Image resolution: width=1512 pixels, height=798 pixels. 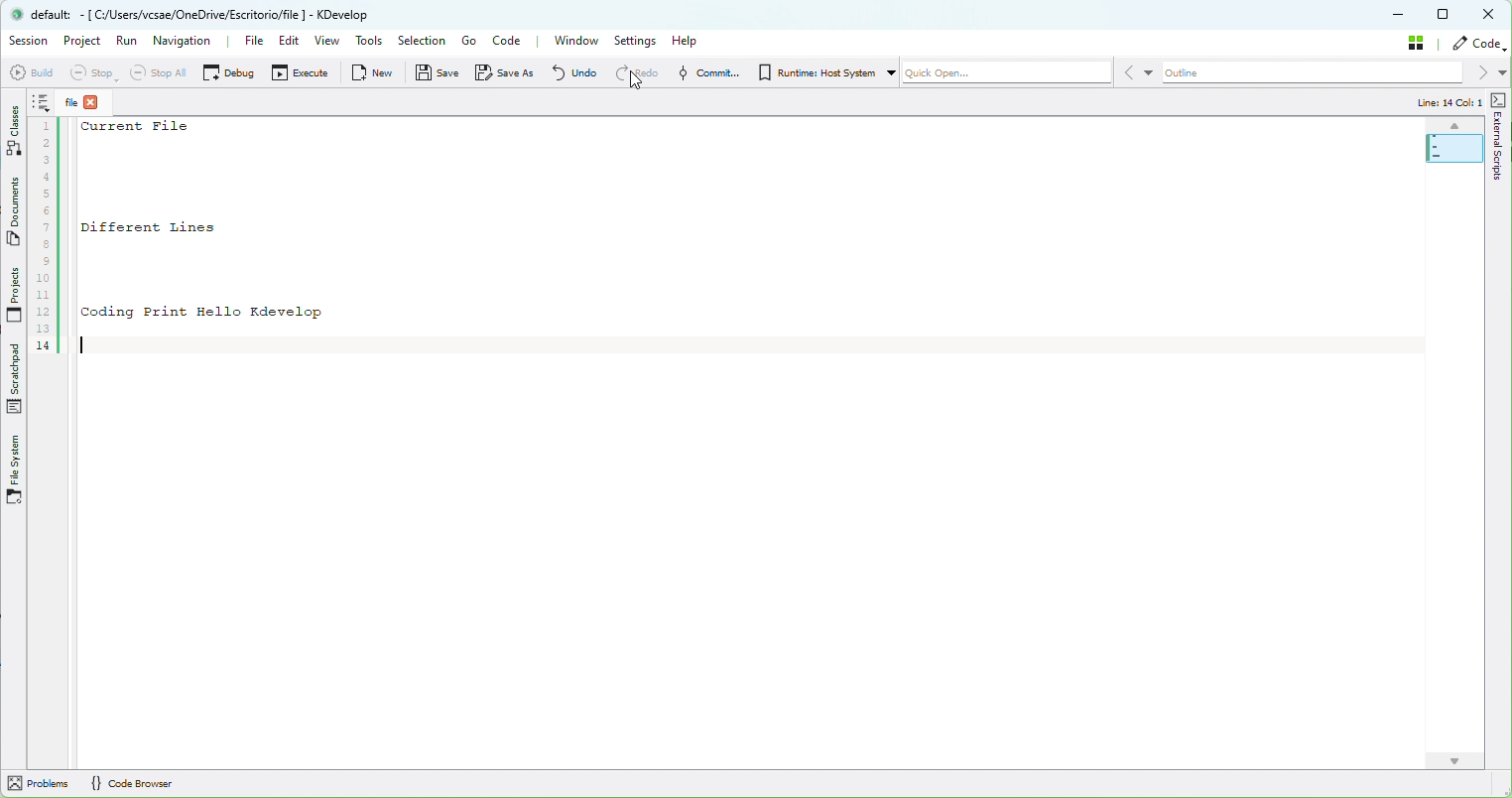 What do you see at coordinates (637, 43) in the screenshot?
I see `Settings` at bounding box center [637, 43].